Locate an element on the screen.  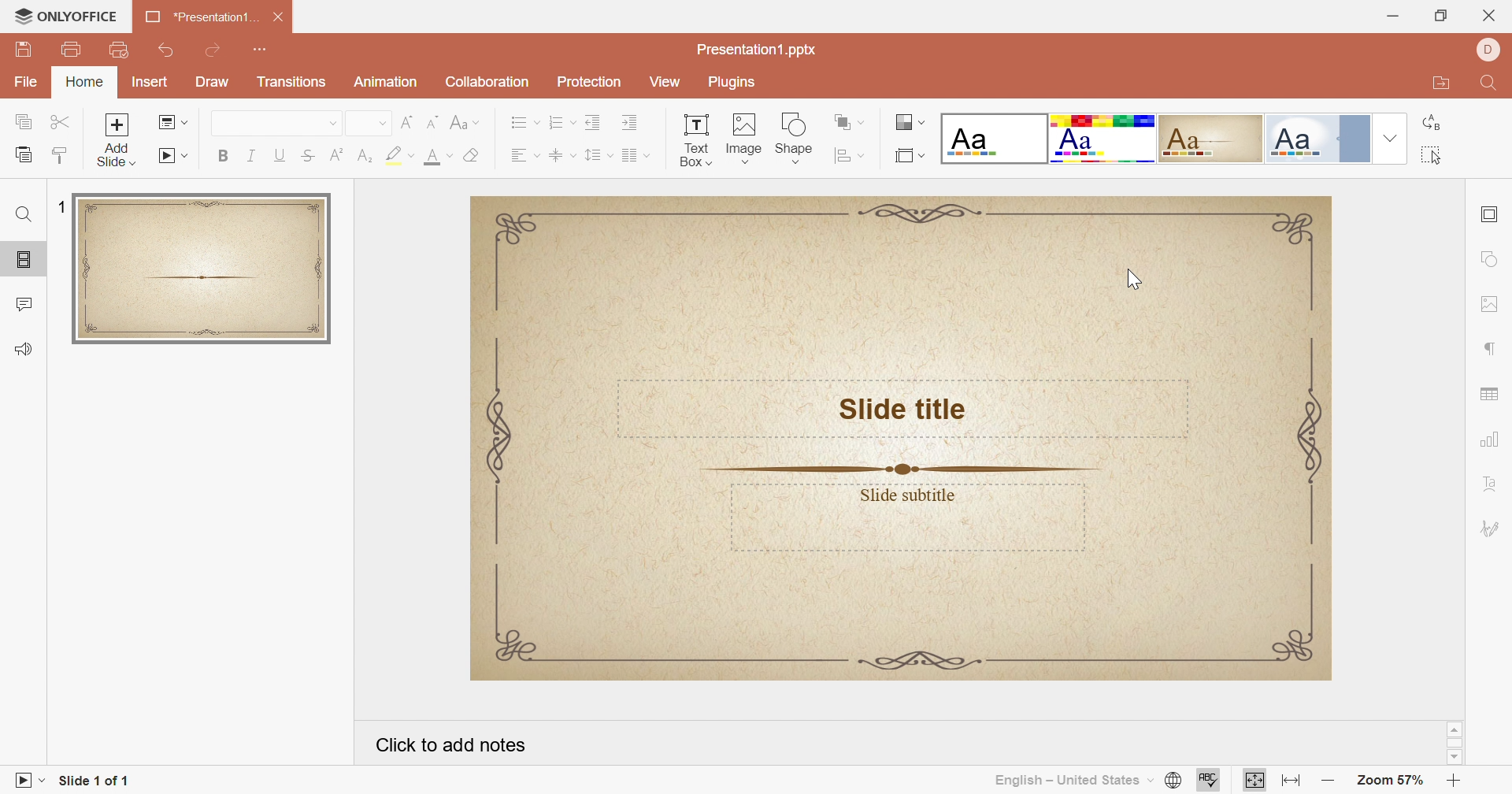
Transitions is located at coordinates (291, 82).